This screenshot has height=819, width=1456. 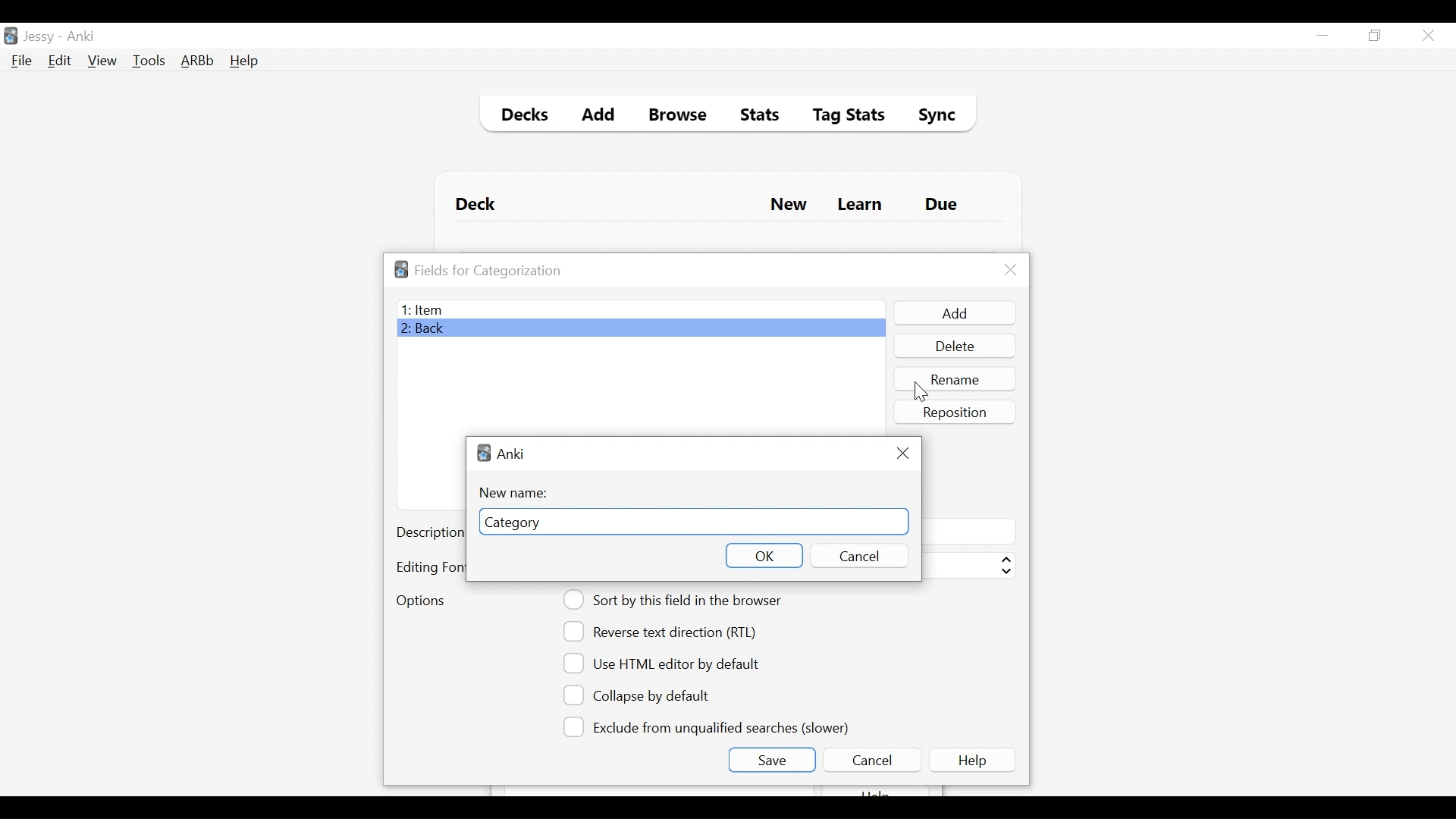 I want to click on Close, so click(x=902, y=453).